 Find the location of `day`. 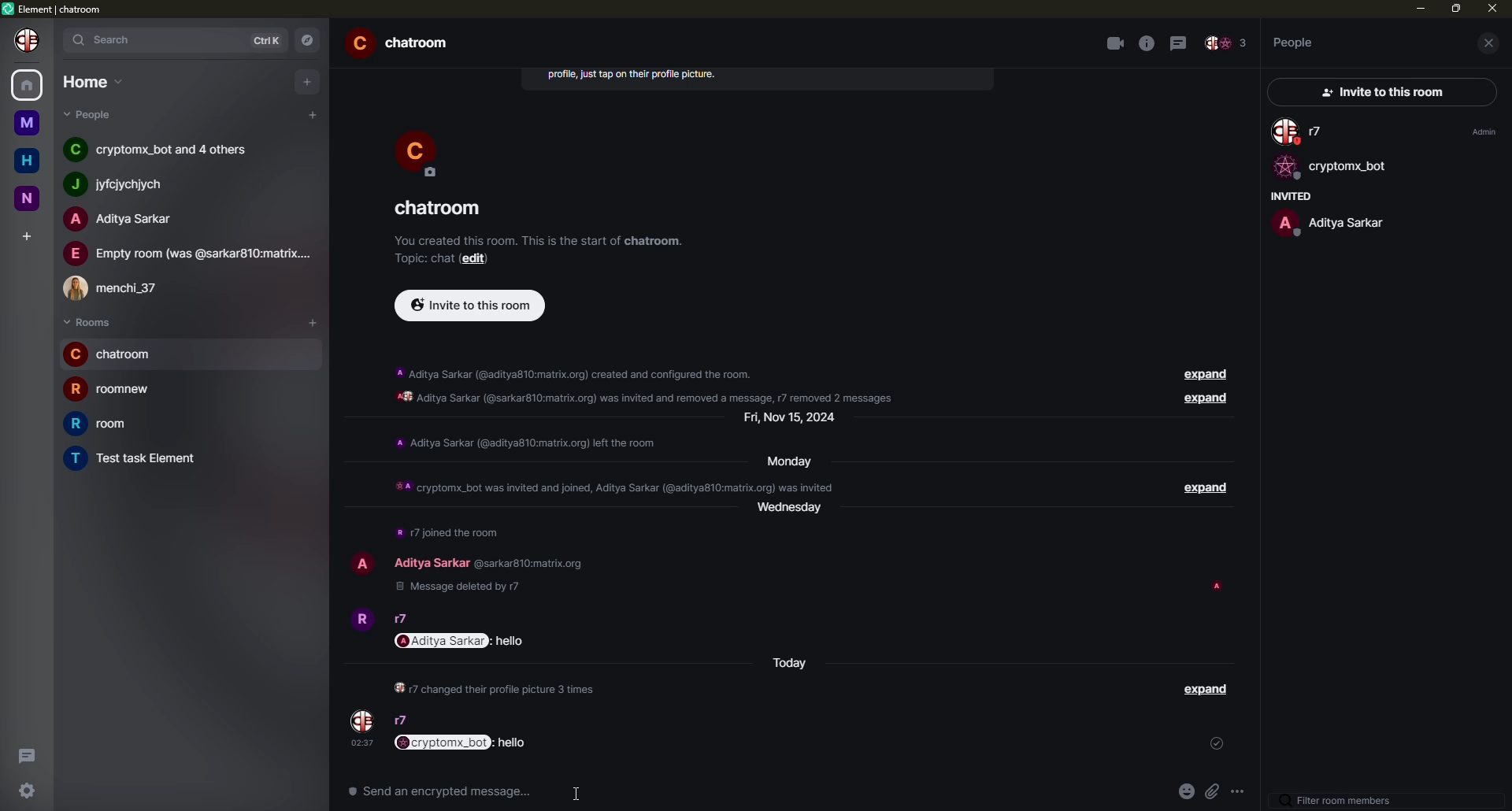

day is located at coordinates (791, 511).